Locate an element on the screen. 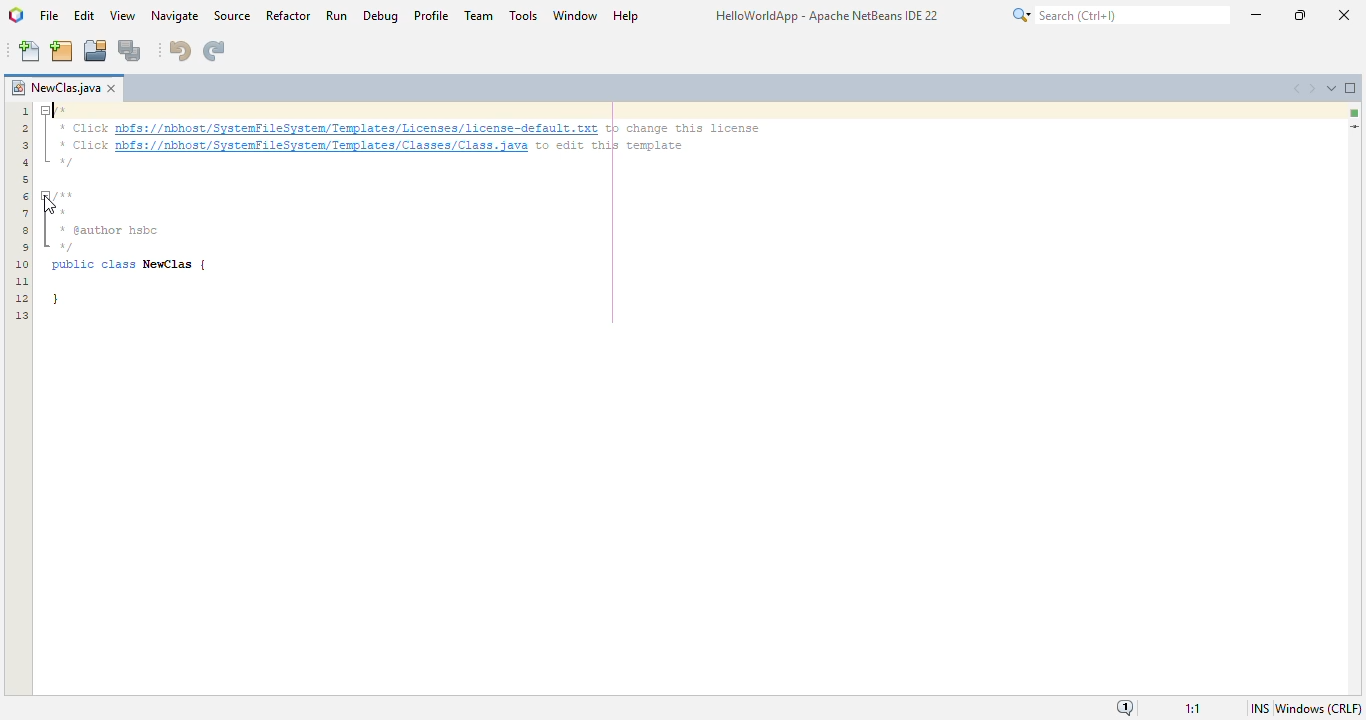 This screenshot has height=720, width=1366. current line is located at coordinates (1354, 126).